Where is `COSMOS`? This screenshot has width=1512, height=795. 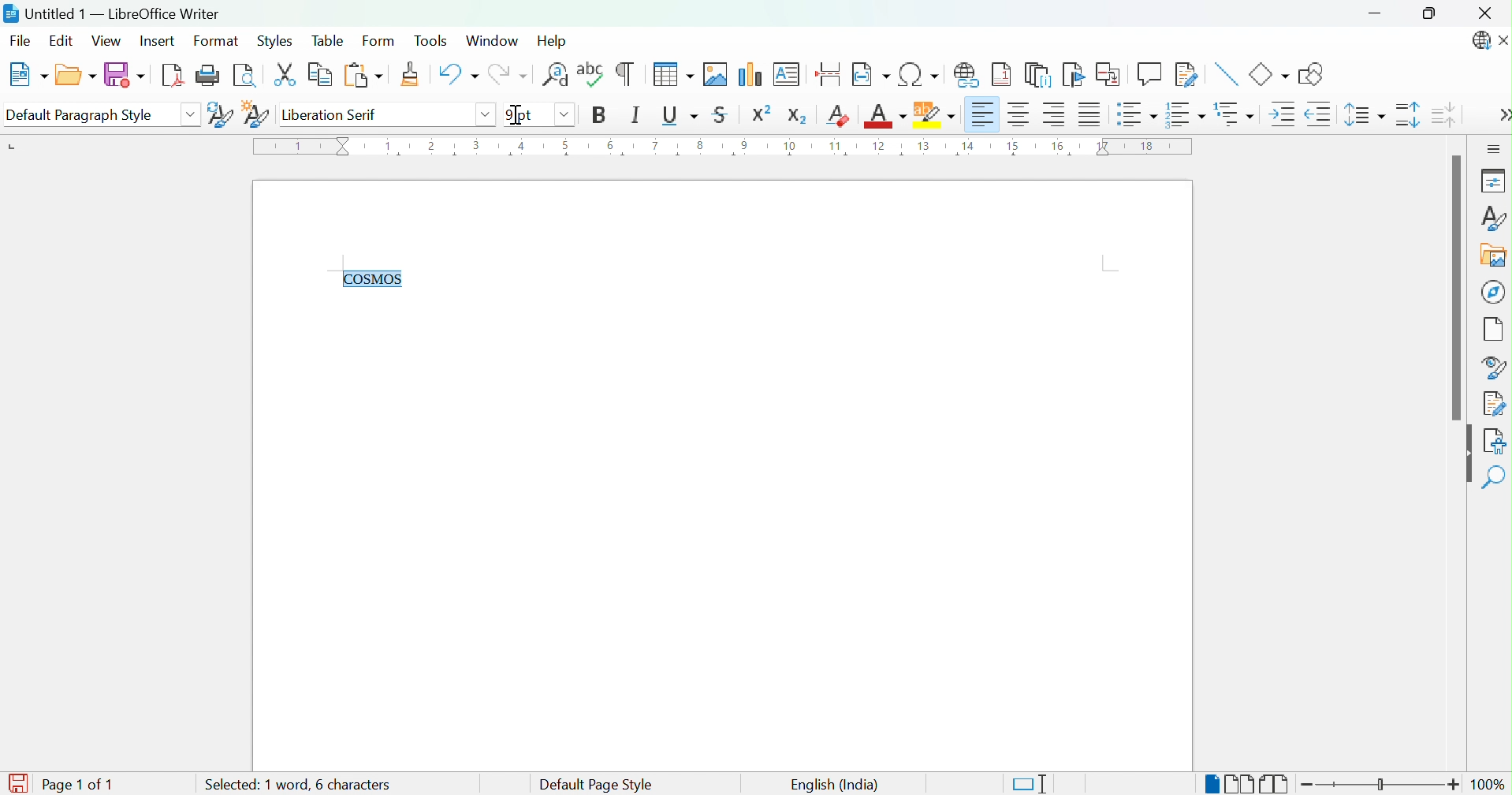 COSMOS is located at coordinates (384, 279).